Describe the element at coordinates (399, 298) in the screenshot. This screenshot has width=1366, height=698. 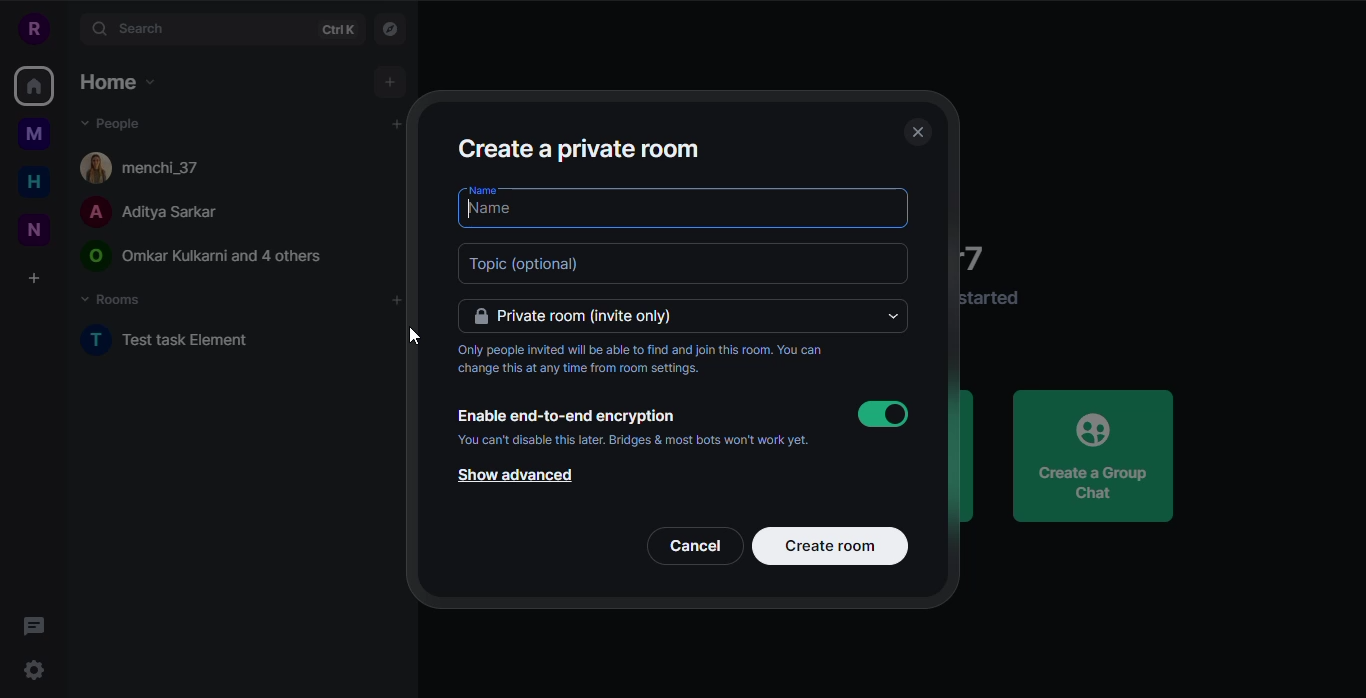
I see `add` at that location.